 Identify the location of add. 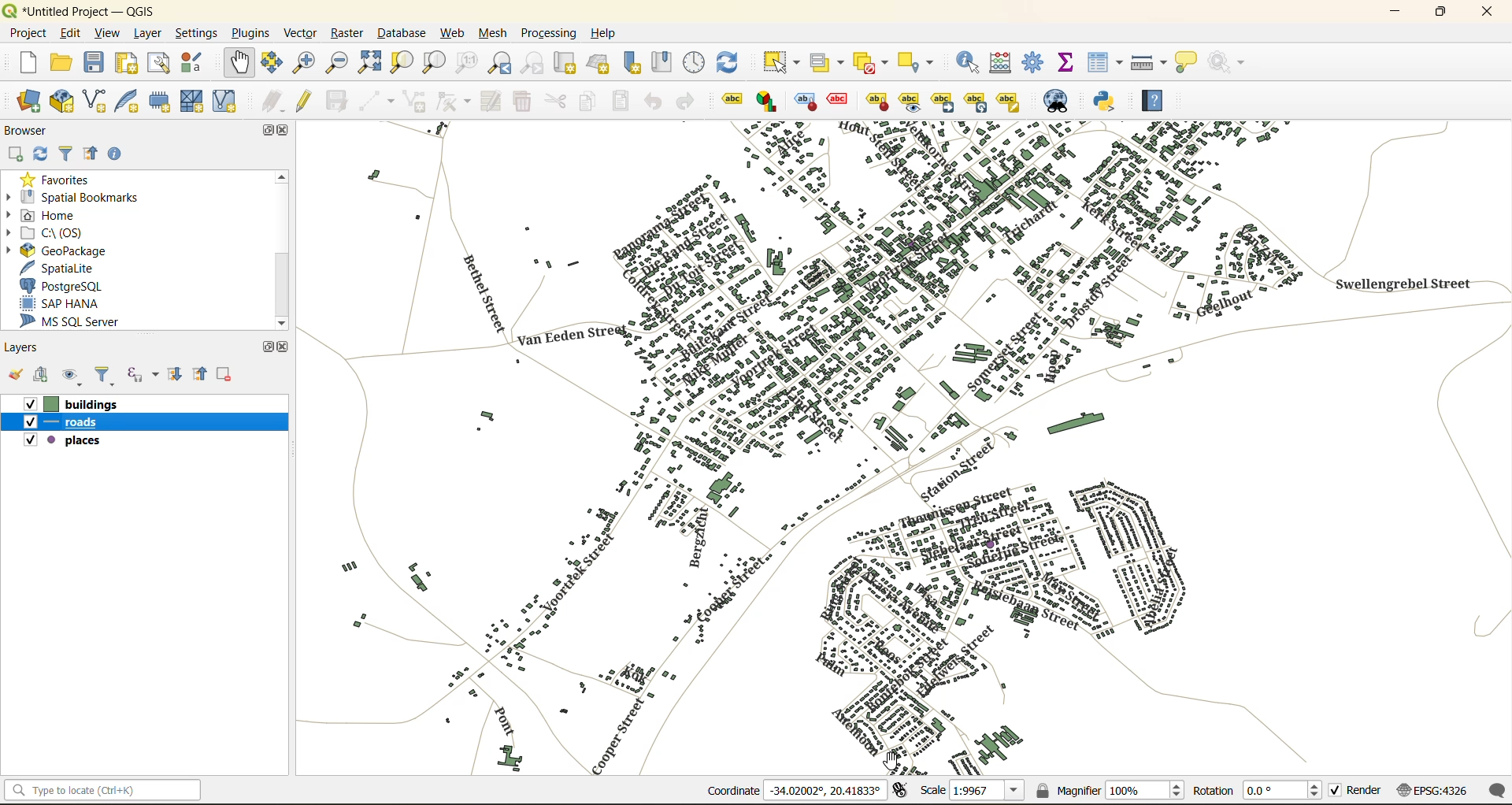
(17, 154).